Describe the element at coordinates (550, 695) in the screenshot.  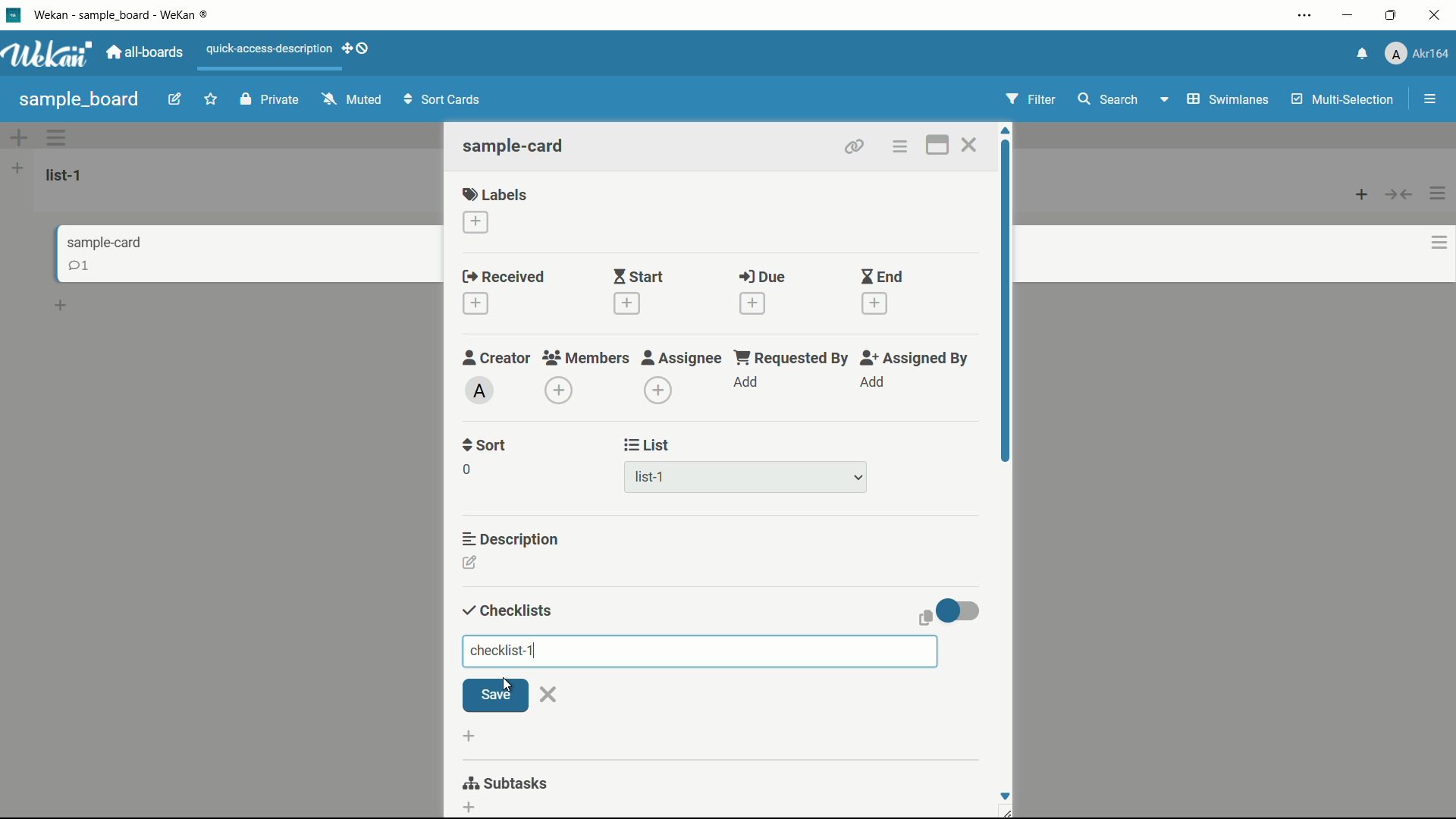
I see `close add an item` at that location.